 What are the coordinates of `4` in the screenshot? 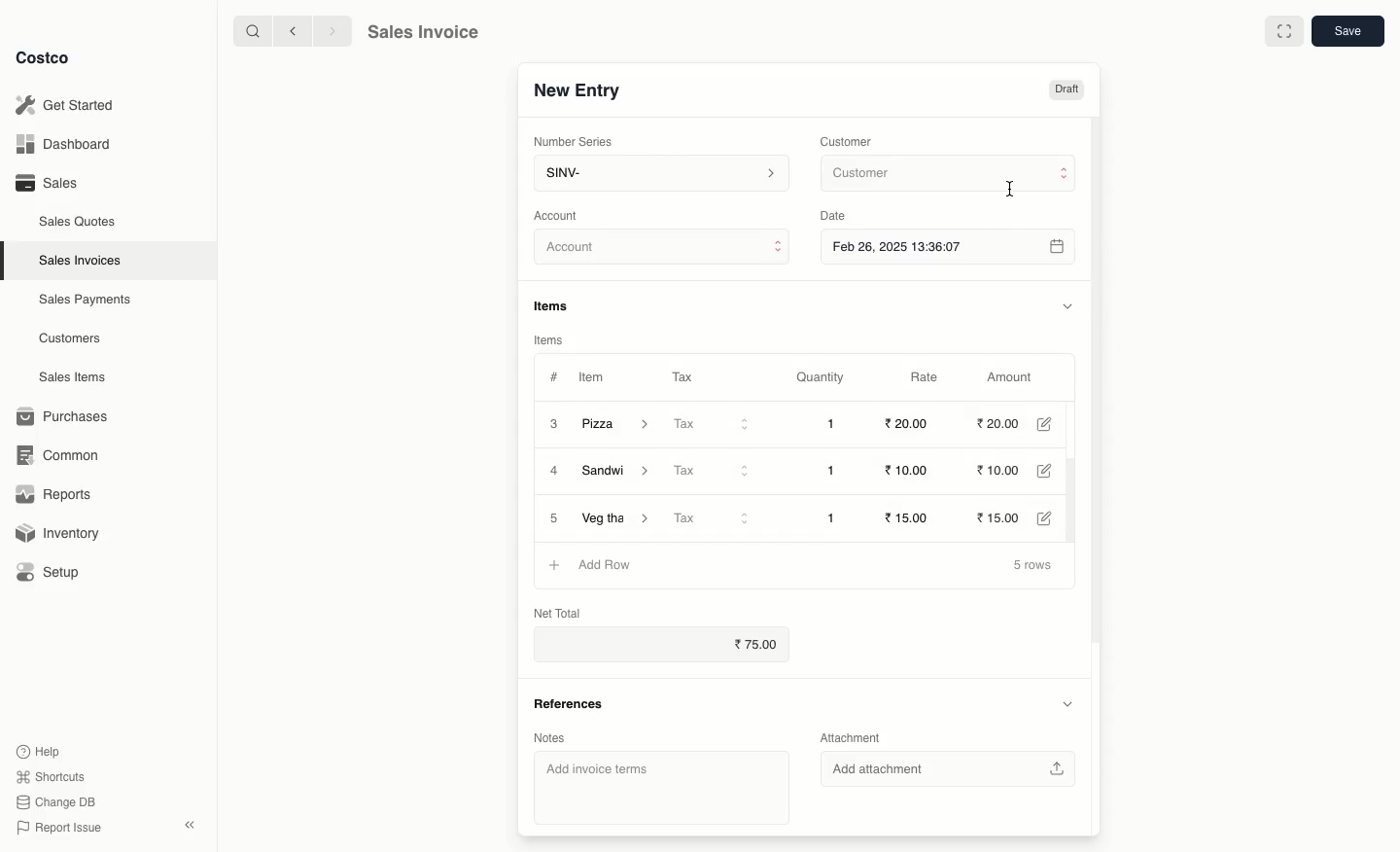 It's located at (555, 472).